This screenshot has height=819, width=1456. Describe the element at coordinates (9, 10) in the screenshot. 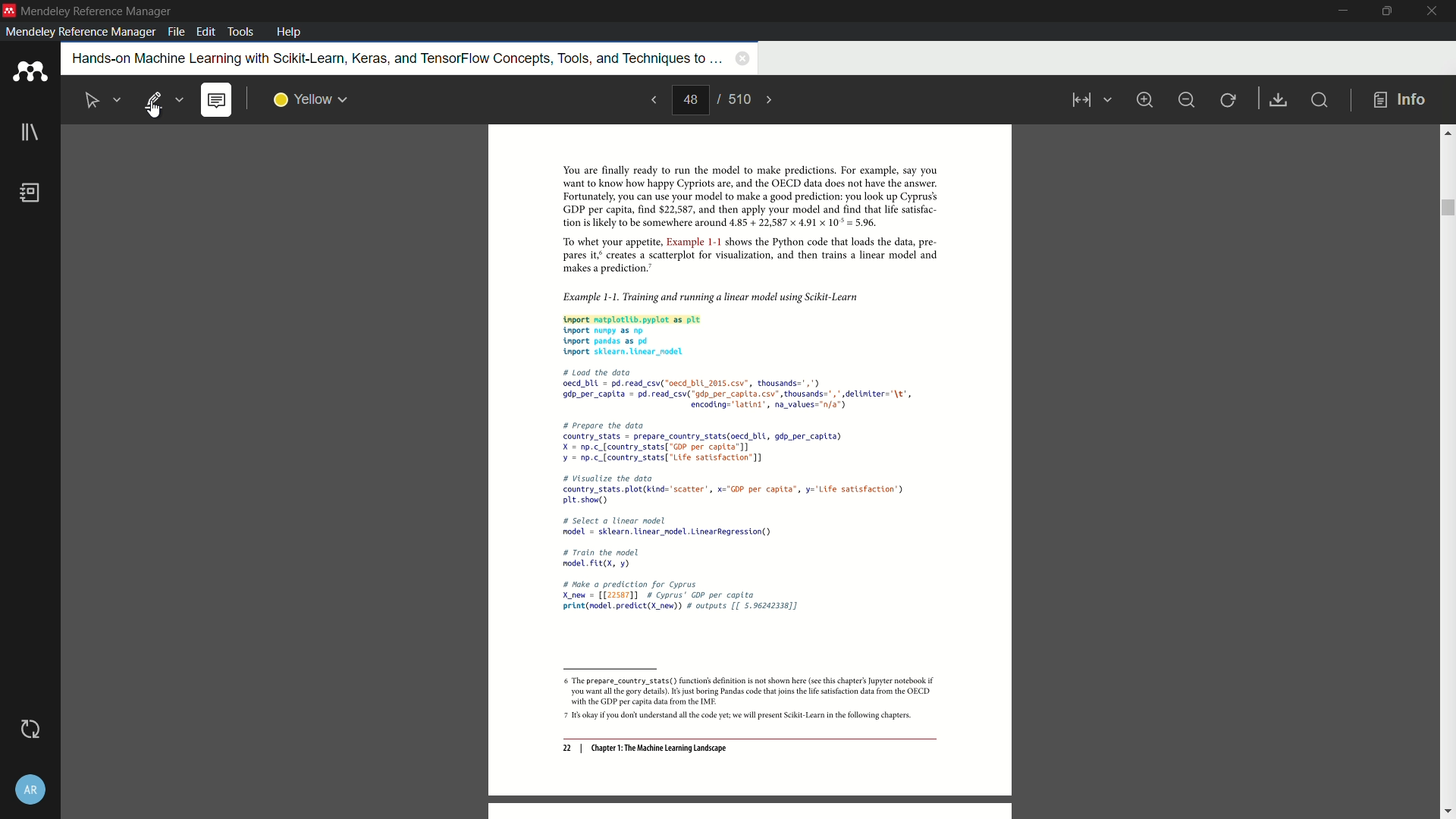

I see `app icon` at that location.